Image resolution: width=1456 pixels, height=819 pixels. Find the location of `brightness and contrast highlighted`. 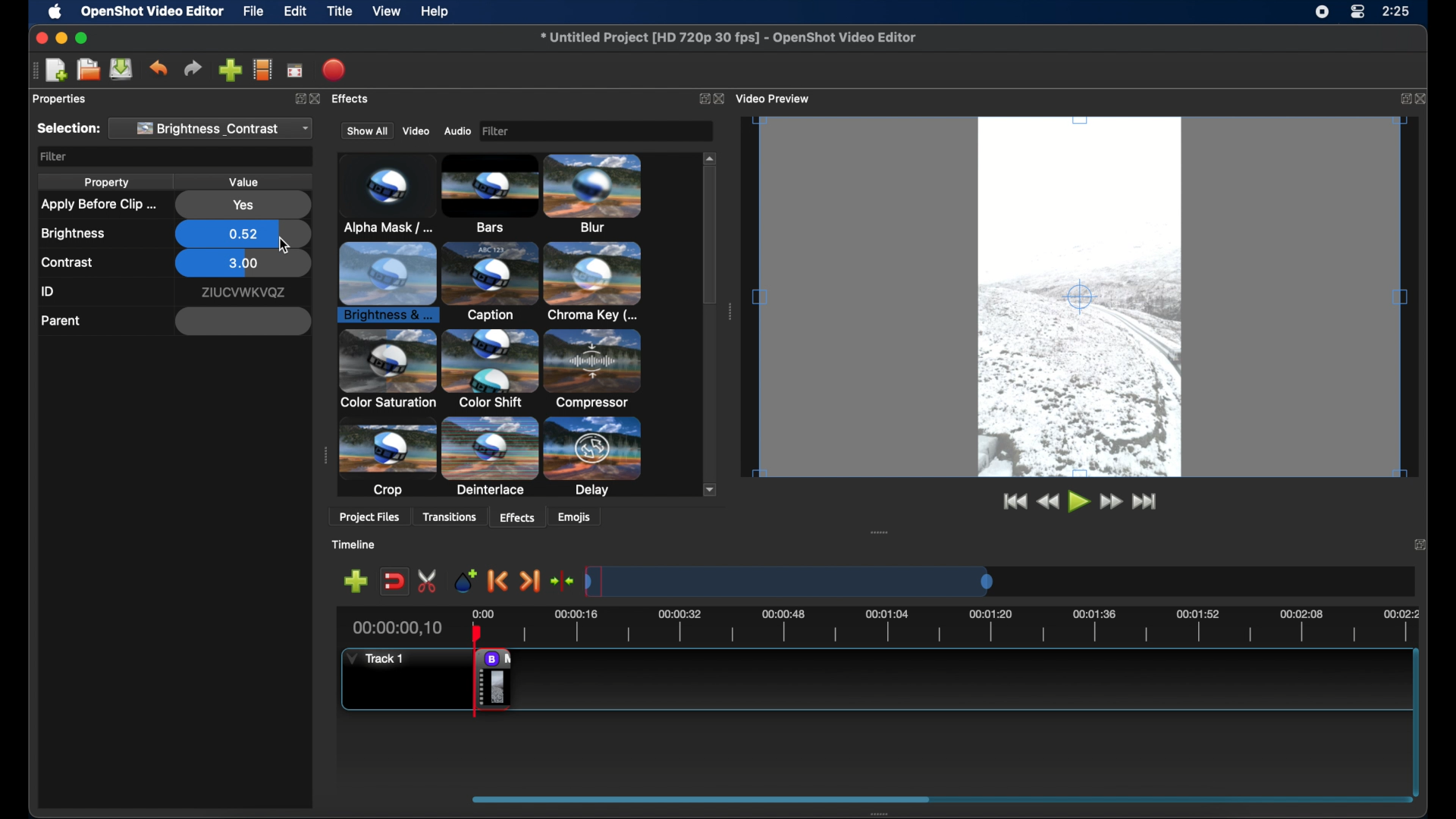

brightness and contrast highlighted is located at coordinates (598, 196).